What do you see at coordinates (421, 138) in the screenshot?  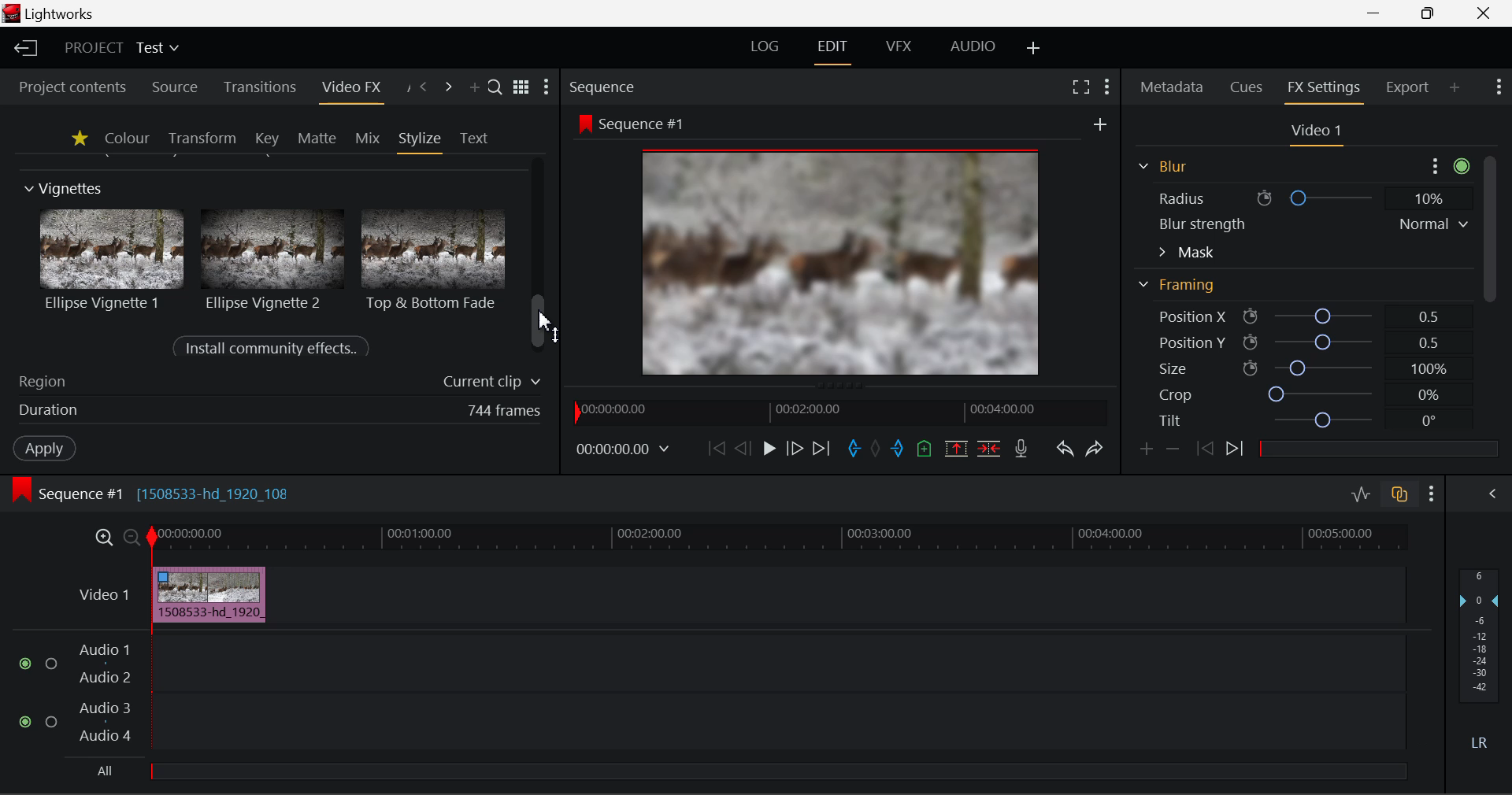 I see `Stylize Panel Open` at bounding box center [421, 138].